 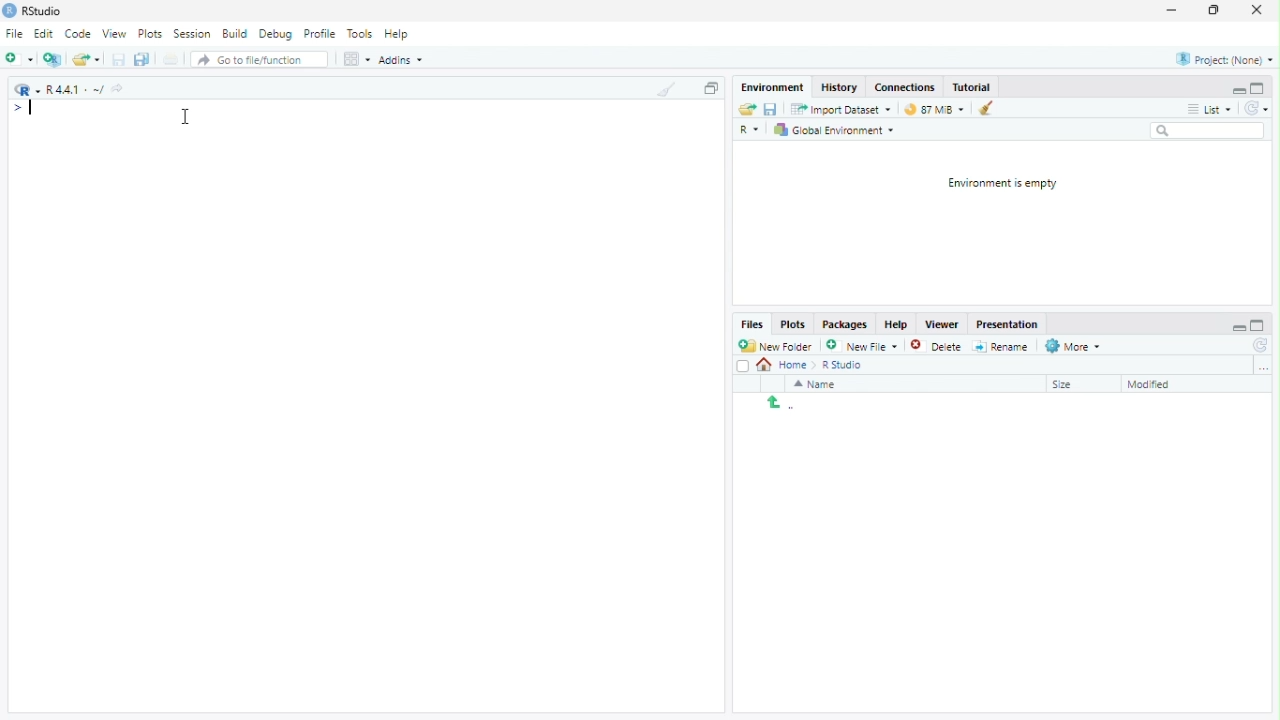 I want to click on Refresh, so click(x=1258, y=345).